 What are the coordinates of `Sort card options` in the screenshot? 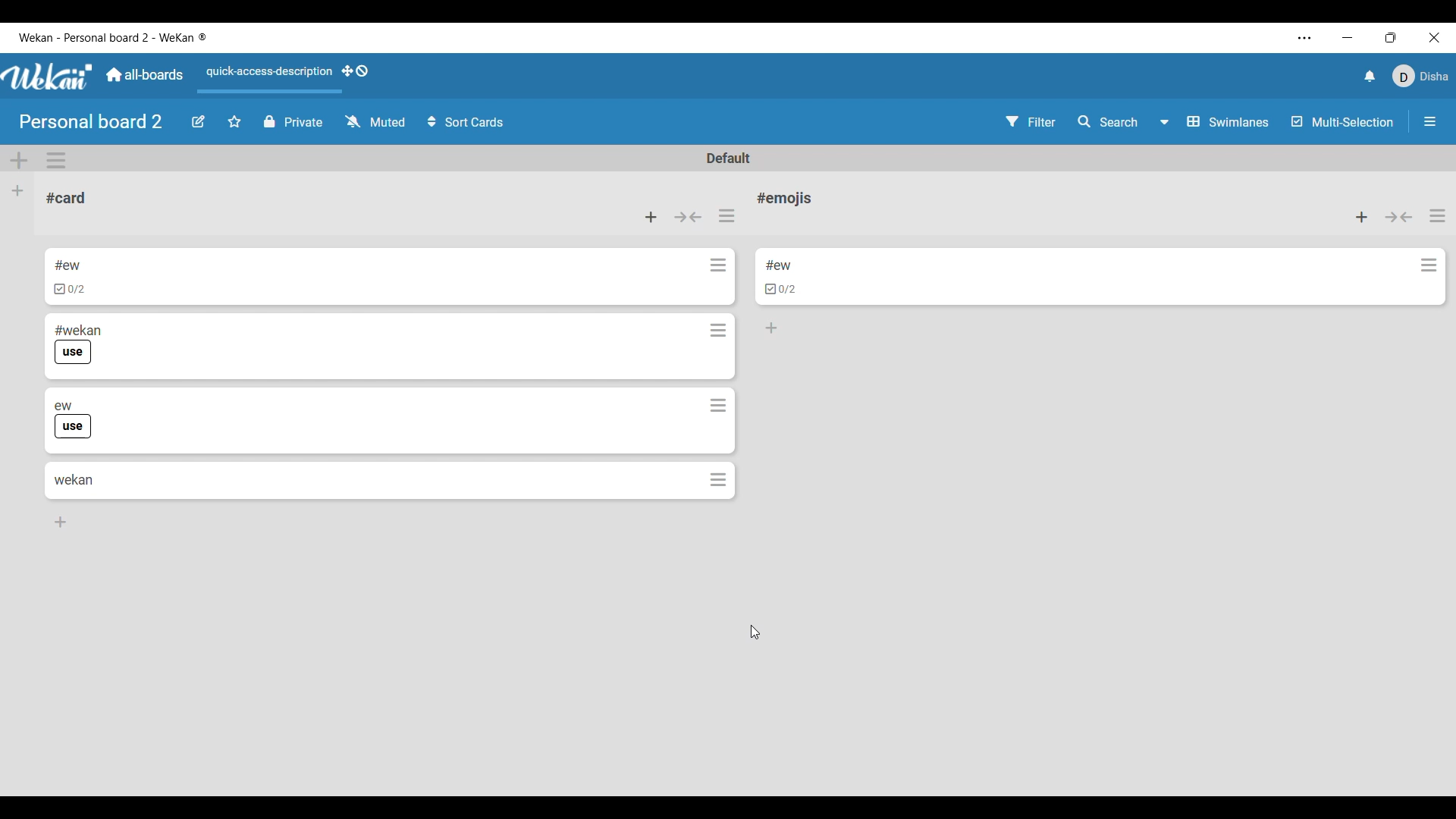 It's located at (466, 122).